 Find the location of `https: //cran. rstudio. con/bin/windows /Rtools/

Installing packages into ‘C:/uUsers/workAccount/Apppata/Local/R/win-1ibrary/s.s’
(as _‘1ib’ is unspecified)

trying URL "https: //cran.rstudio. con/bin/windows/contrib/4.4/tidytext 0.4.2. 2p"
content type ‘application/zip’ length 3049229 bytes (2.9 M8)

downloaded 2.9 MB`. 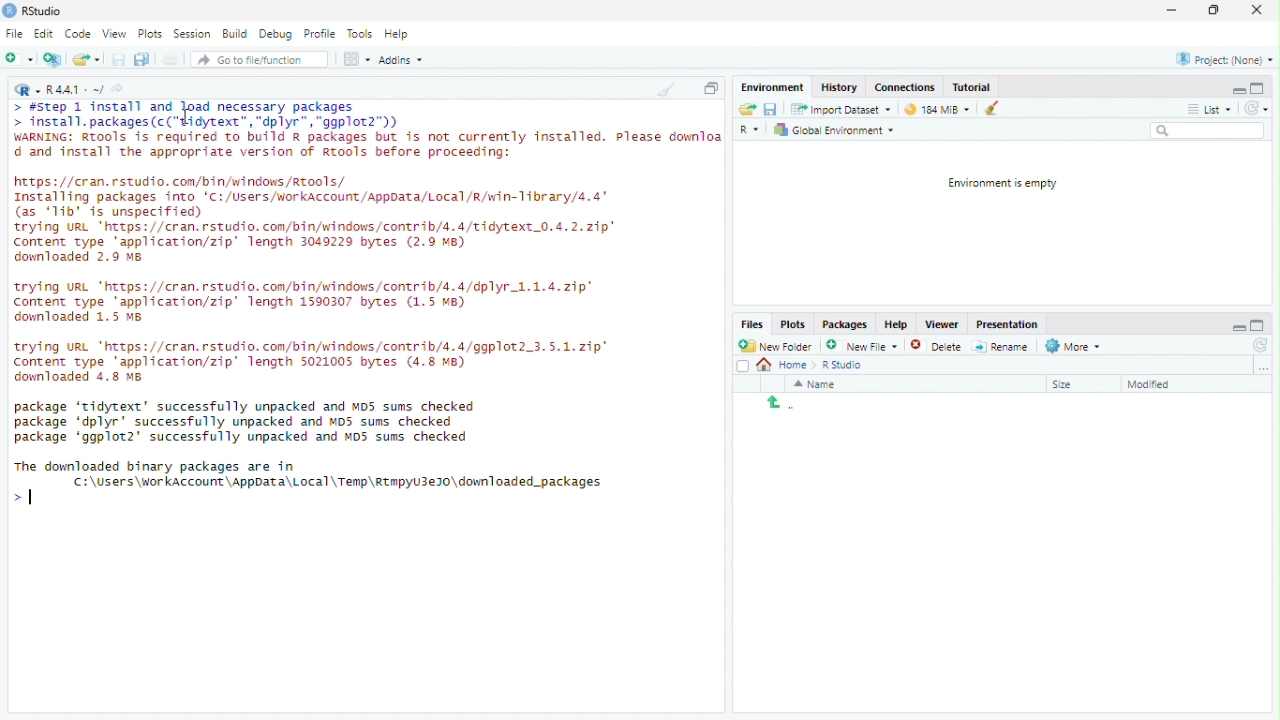

https: //cran. rstudio. con/bin/windows /Rtools/

Installing packages into ‘C:/uUsers/workAccount/Apppata/Local/R/win-1ibrary/s.s’
(as _‘1ib’ is unspecified)

trying URL "https: //cran.rstudio. con/bin/windows/contrib/4.4/tidytext 0.4.2. 2p"
content type ‘application/zip’ length 3049229 bytes (2.9 M8)

downloaded 2.9 MB is located at coordinates (320, 222).